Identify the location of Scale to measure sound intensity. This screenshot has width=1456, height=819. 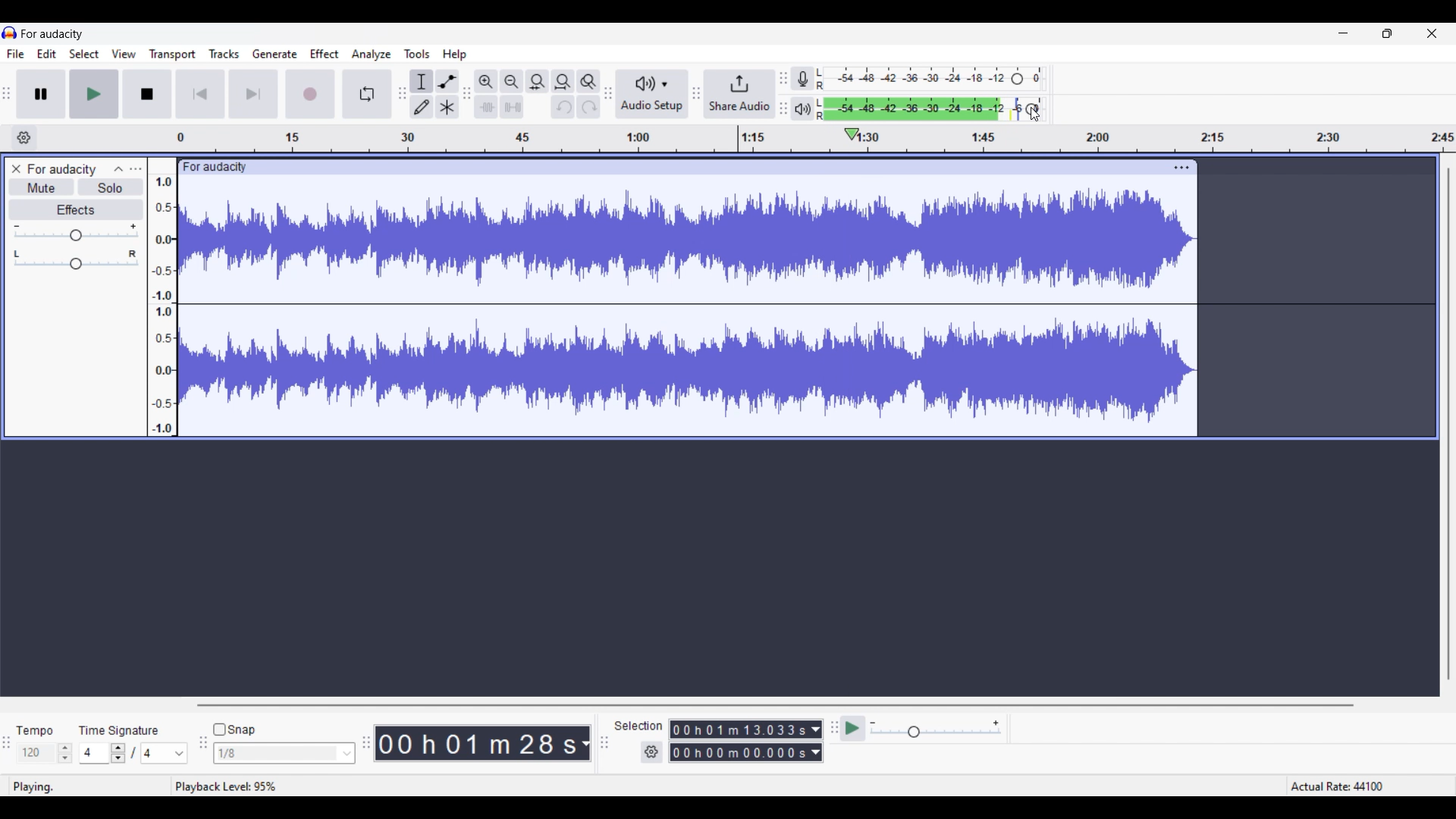
(163, 305).